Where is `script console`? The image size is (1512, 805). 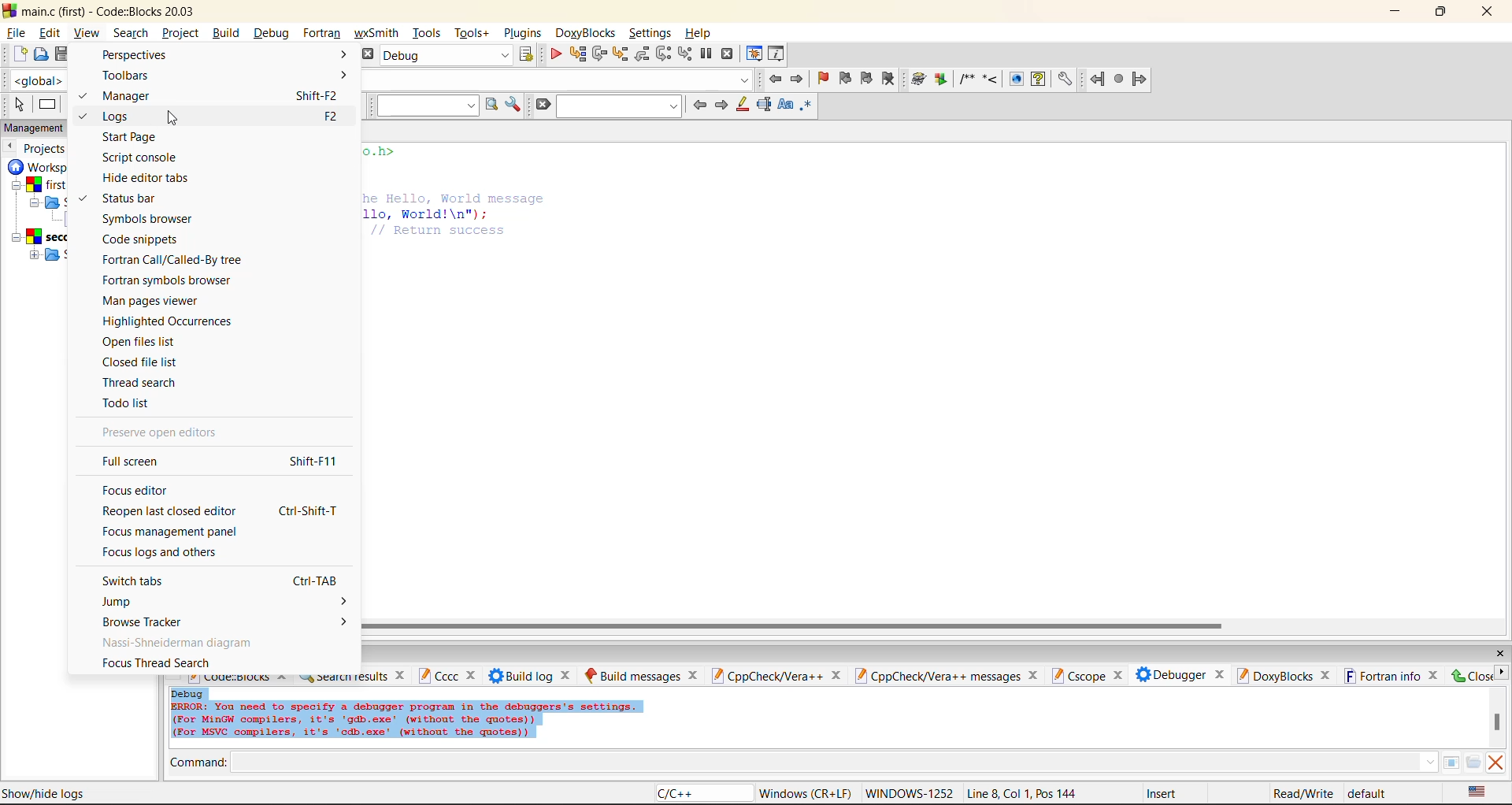 script console is located at coordinates (141, 158).